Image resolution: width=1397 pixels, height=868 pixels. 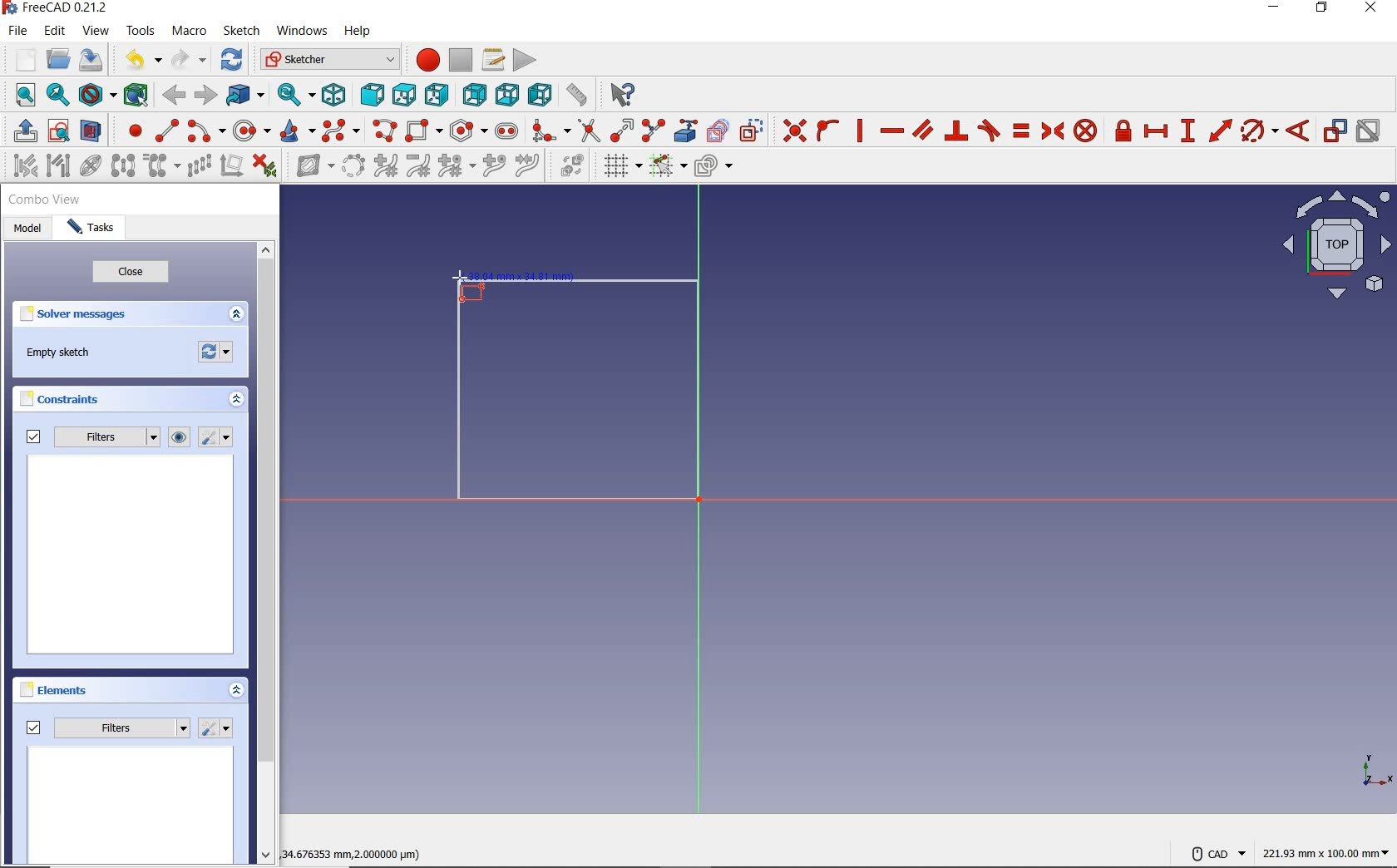 I want to click on expand, so click(x=236, y=314).